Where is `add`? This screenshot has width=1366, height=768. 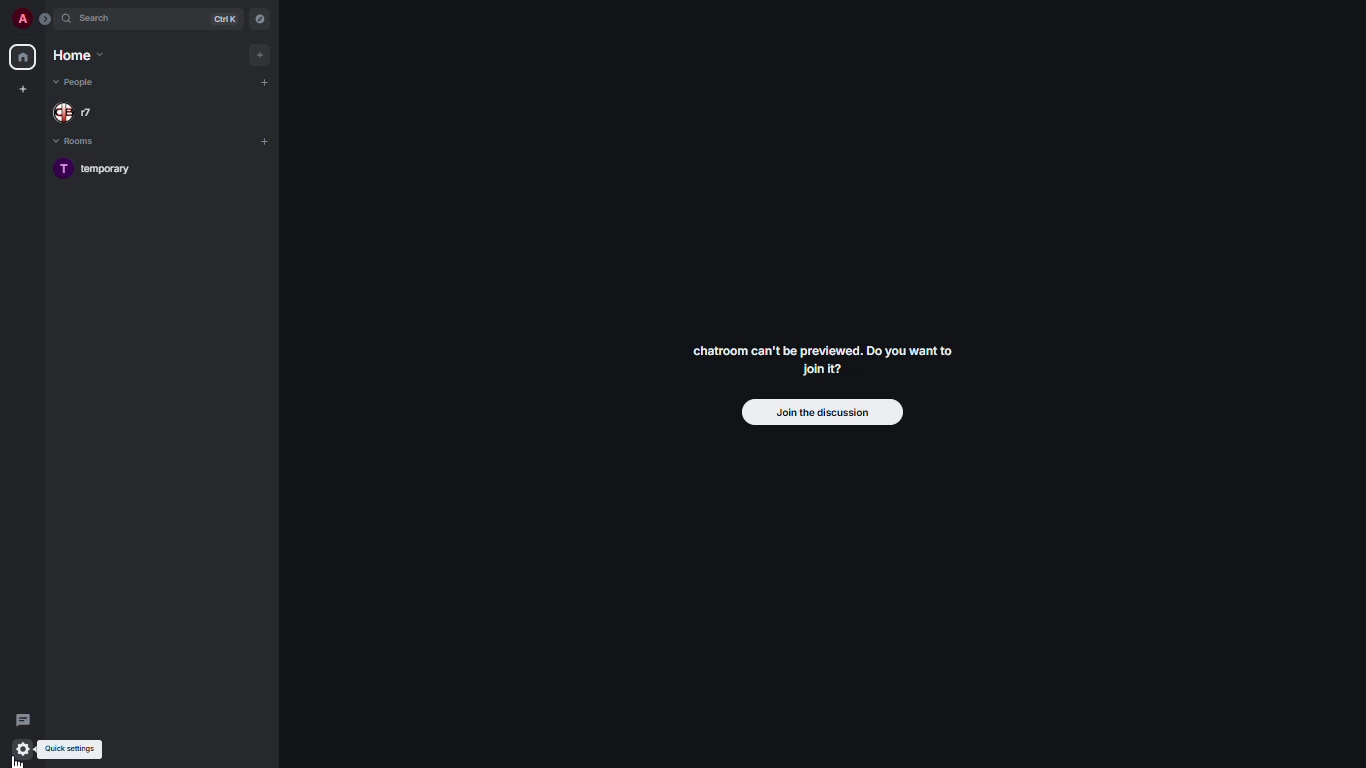 add is located at coordinates (258, 54).